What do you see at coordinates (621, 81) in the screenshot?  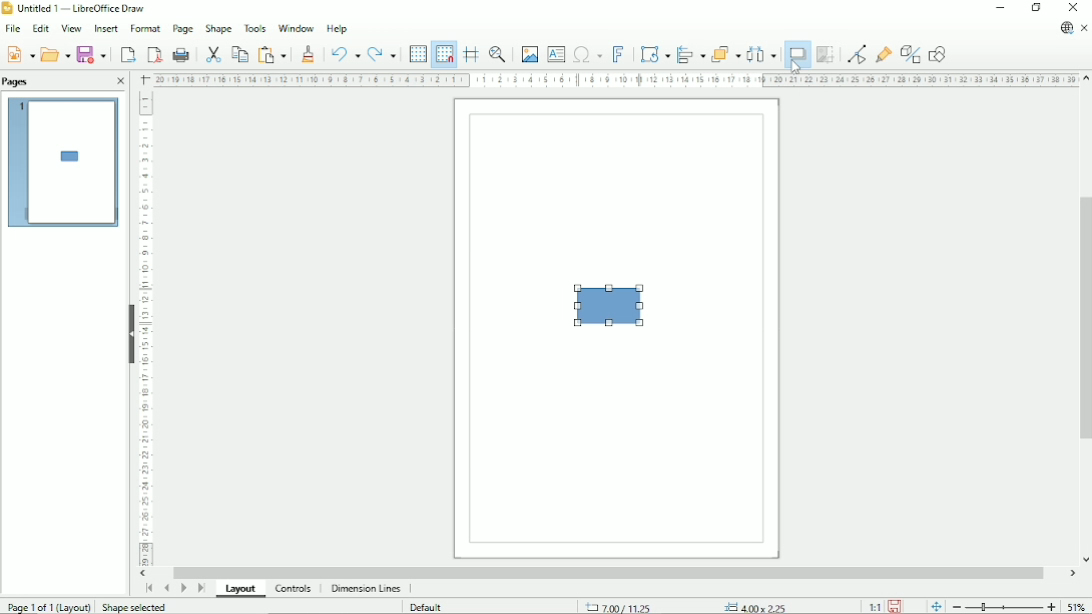 I see `Horizontal scale` at bounding box center [621, 81].